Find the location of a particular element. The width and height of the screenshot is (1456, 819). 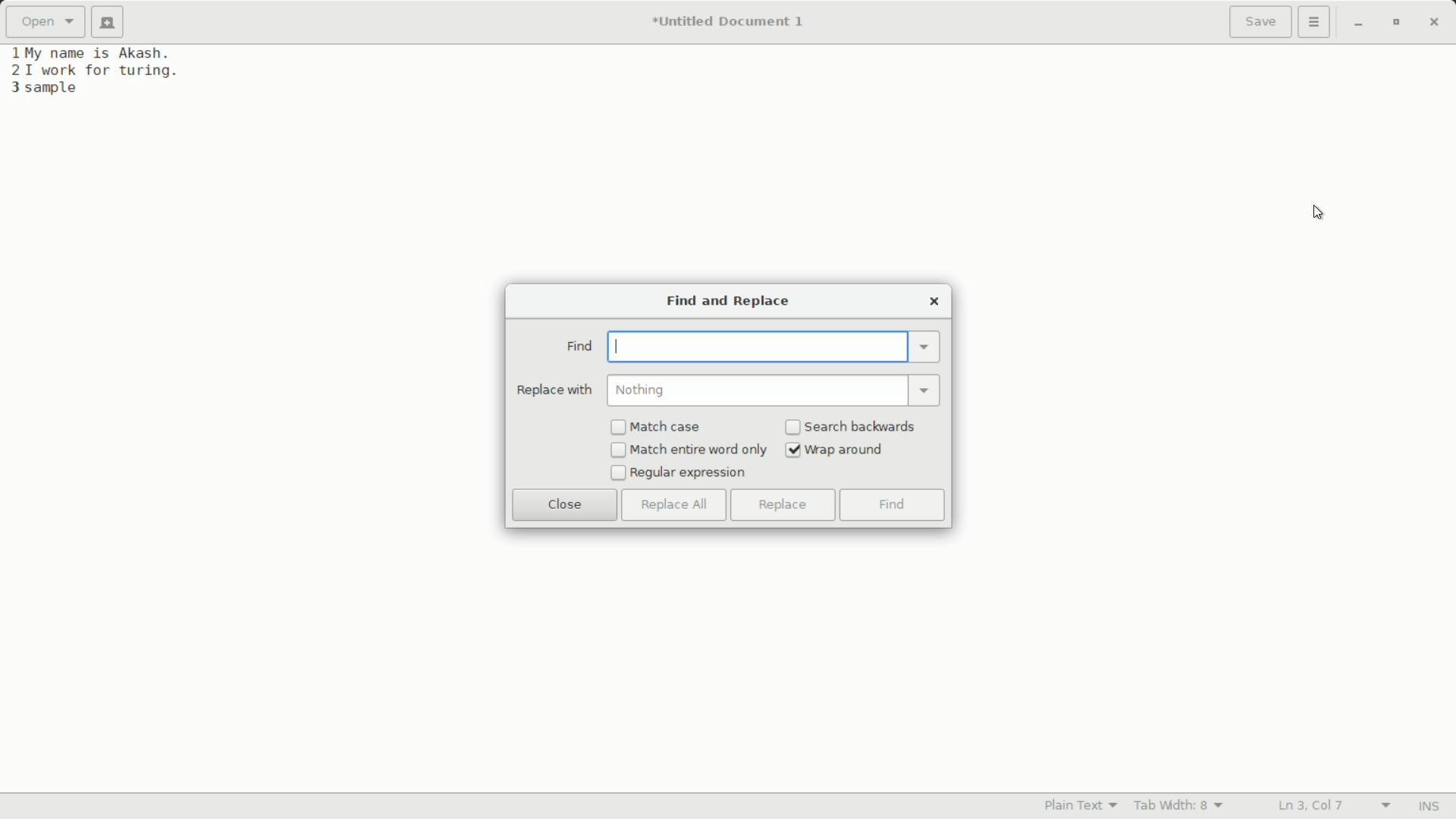

dropdown is located at coordinates (925, 347).